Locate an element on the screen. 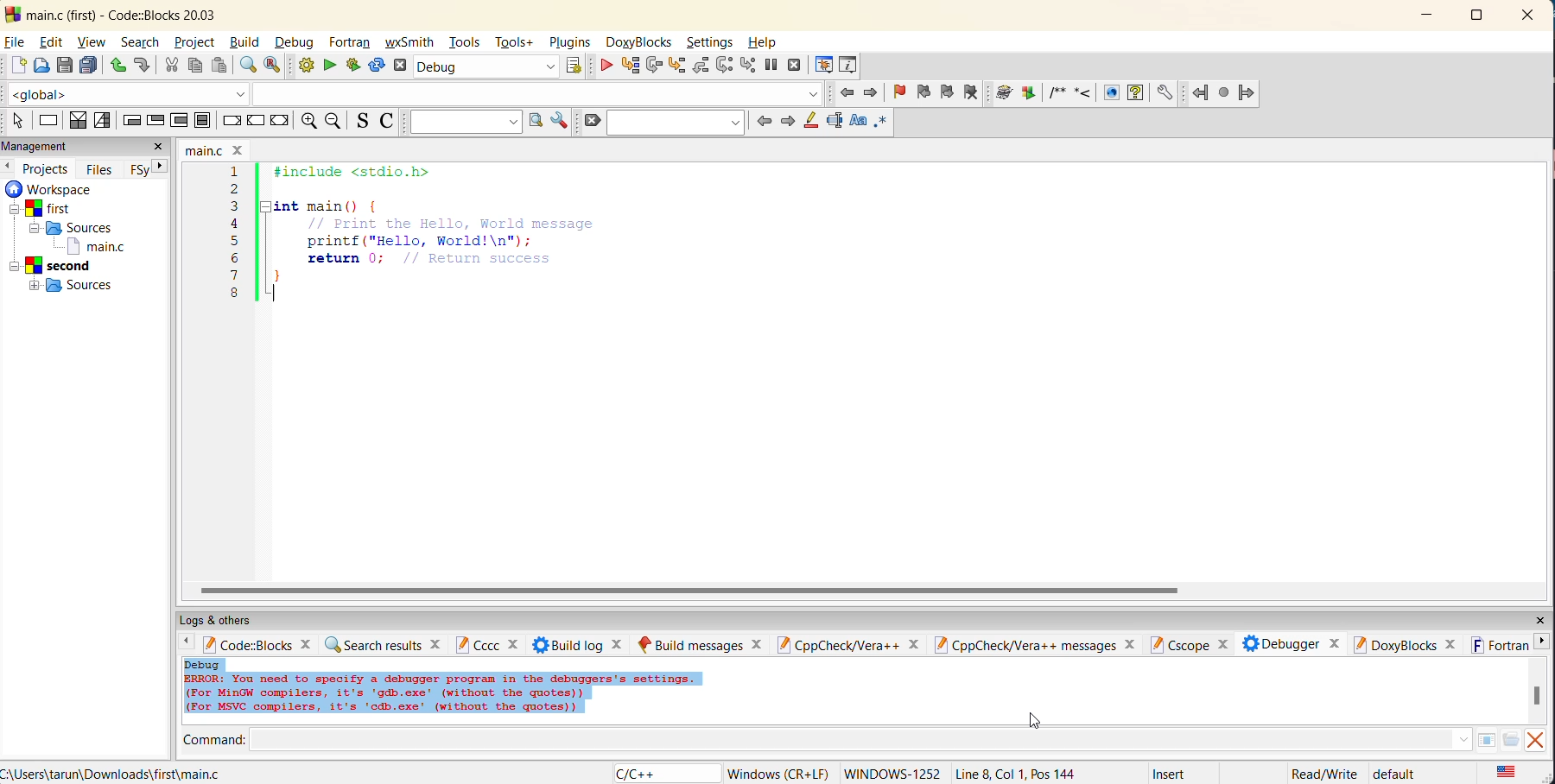 The width and height of the screenshot is (1555, 784). Extract is located at coordinates (1027, 94).